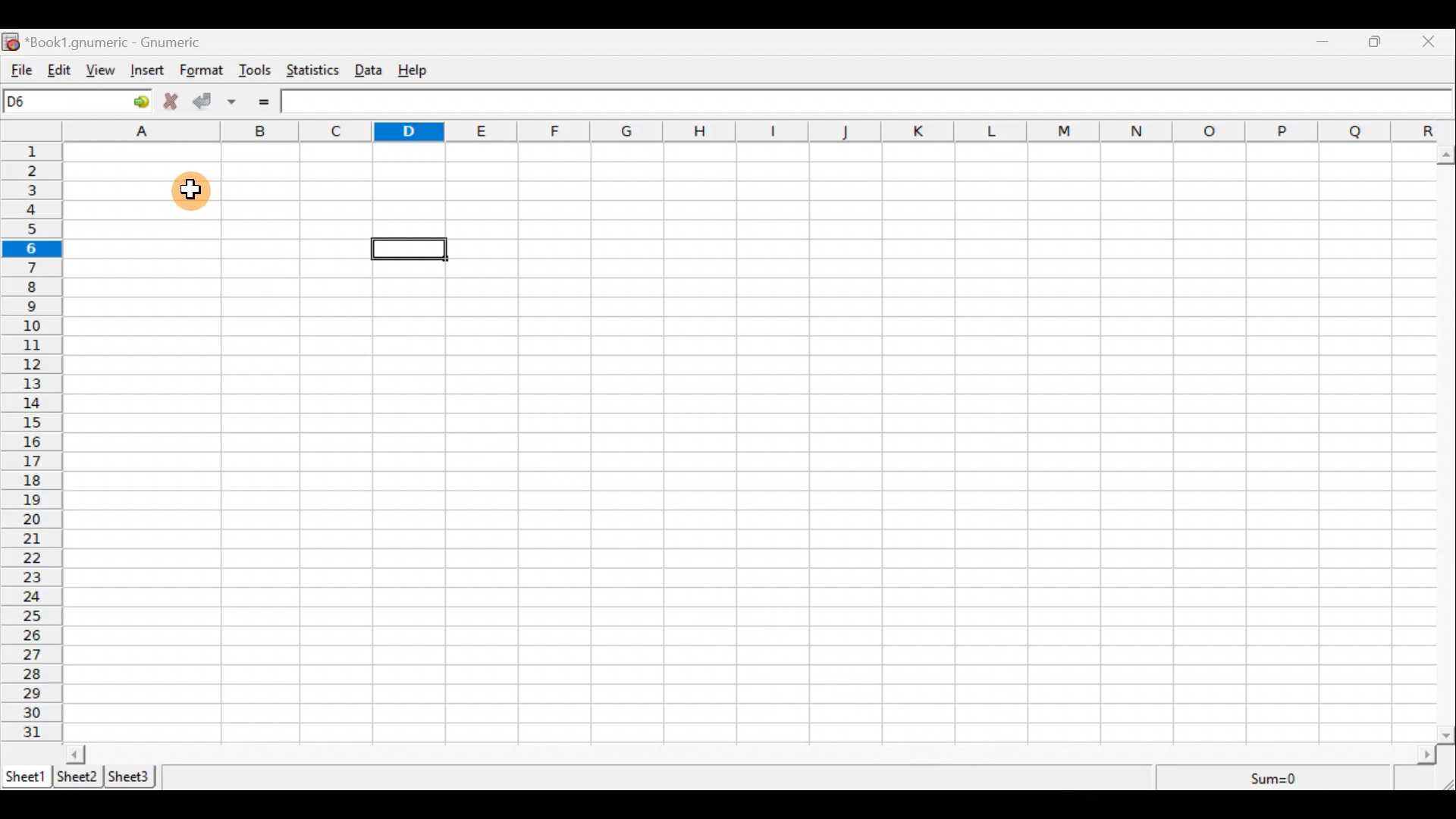 This screenshot has height=819, width=1456. Describe the element at coordinates (174, 103) in the screenshot. I see `Cancel change` at that location.